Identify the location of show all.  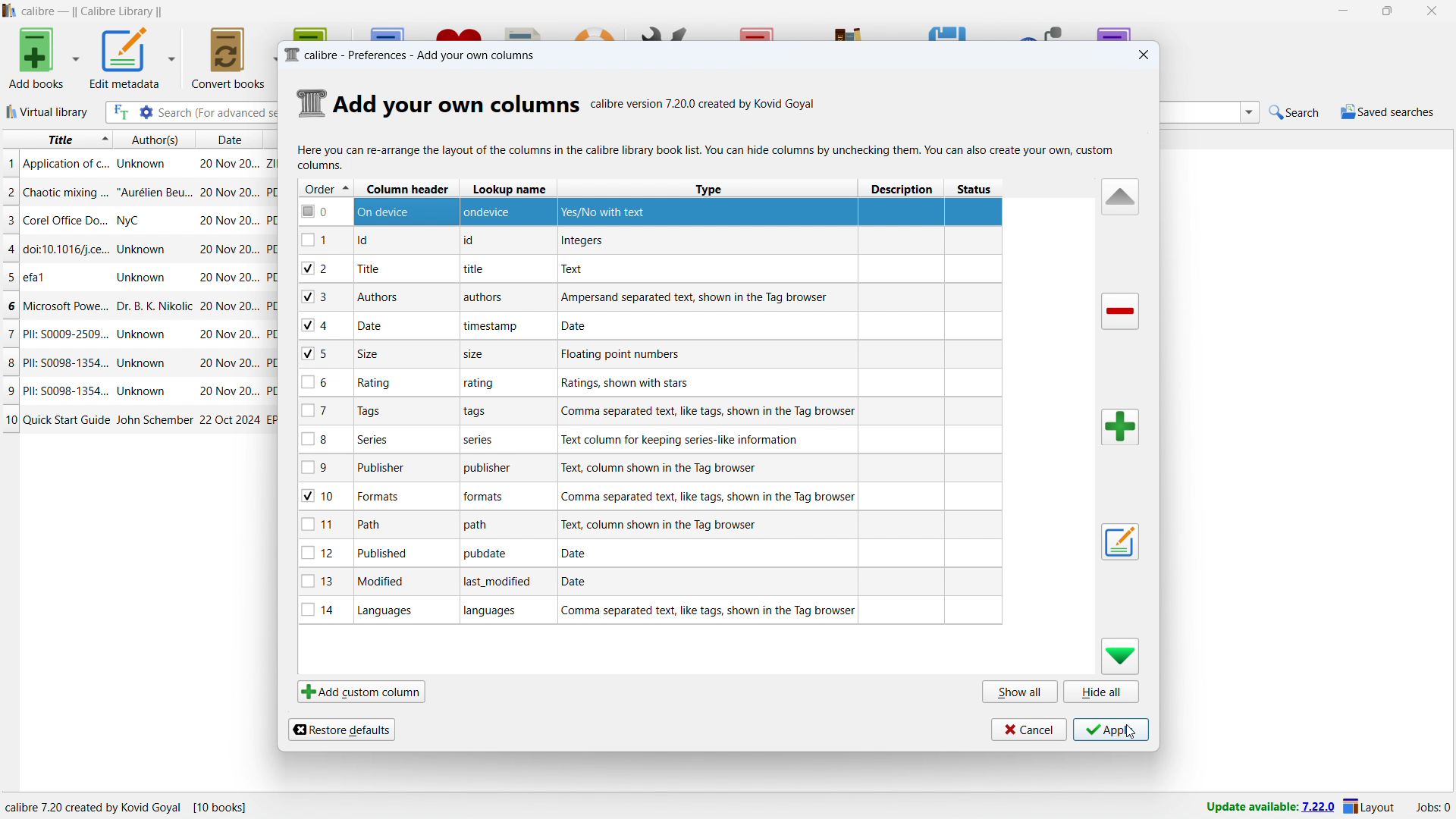
(1019, 692).